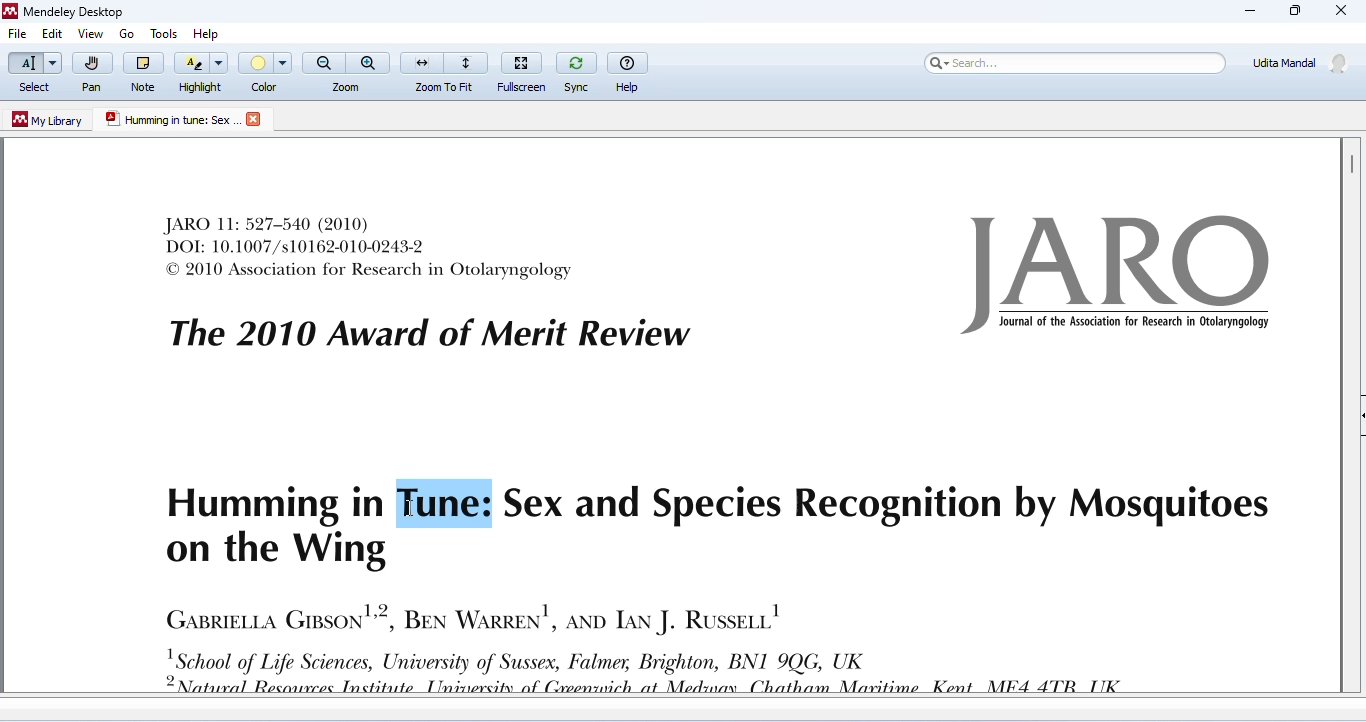  Describe the element at coordinates (49, 120) in the screenshot. I see `my library` at that location.